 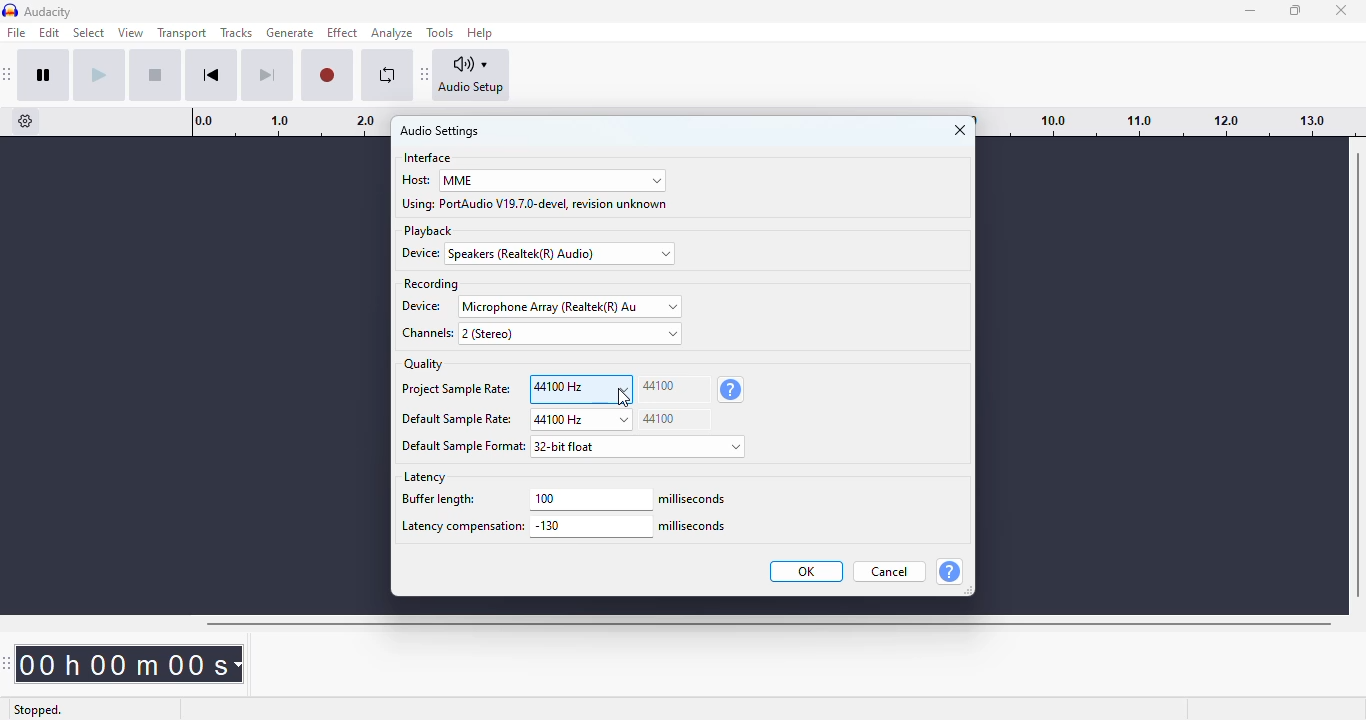 What do you see at coordinates (1251, 11) in the screenshot?
I see `minimize` at bounding box center [1251, 11].